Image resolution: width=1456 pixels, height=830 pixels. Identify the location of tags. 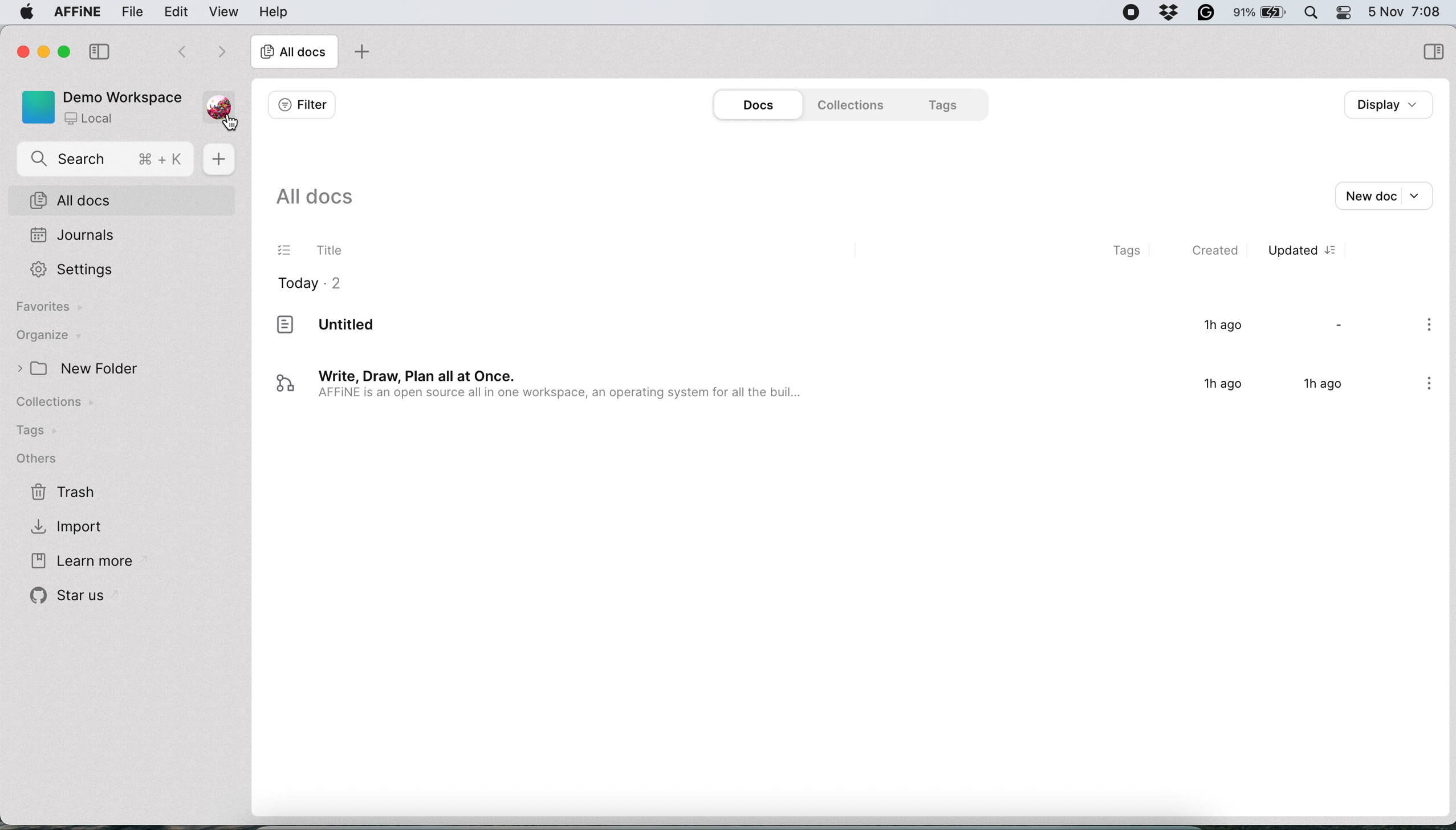
(1122, 251).